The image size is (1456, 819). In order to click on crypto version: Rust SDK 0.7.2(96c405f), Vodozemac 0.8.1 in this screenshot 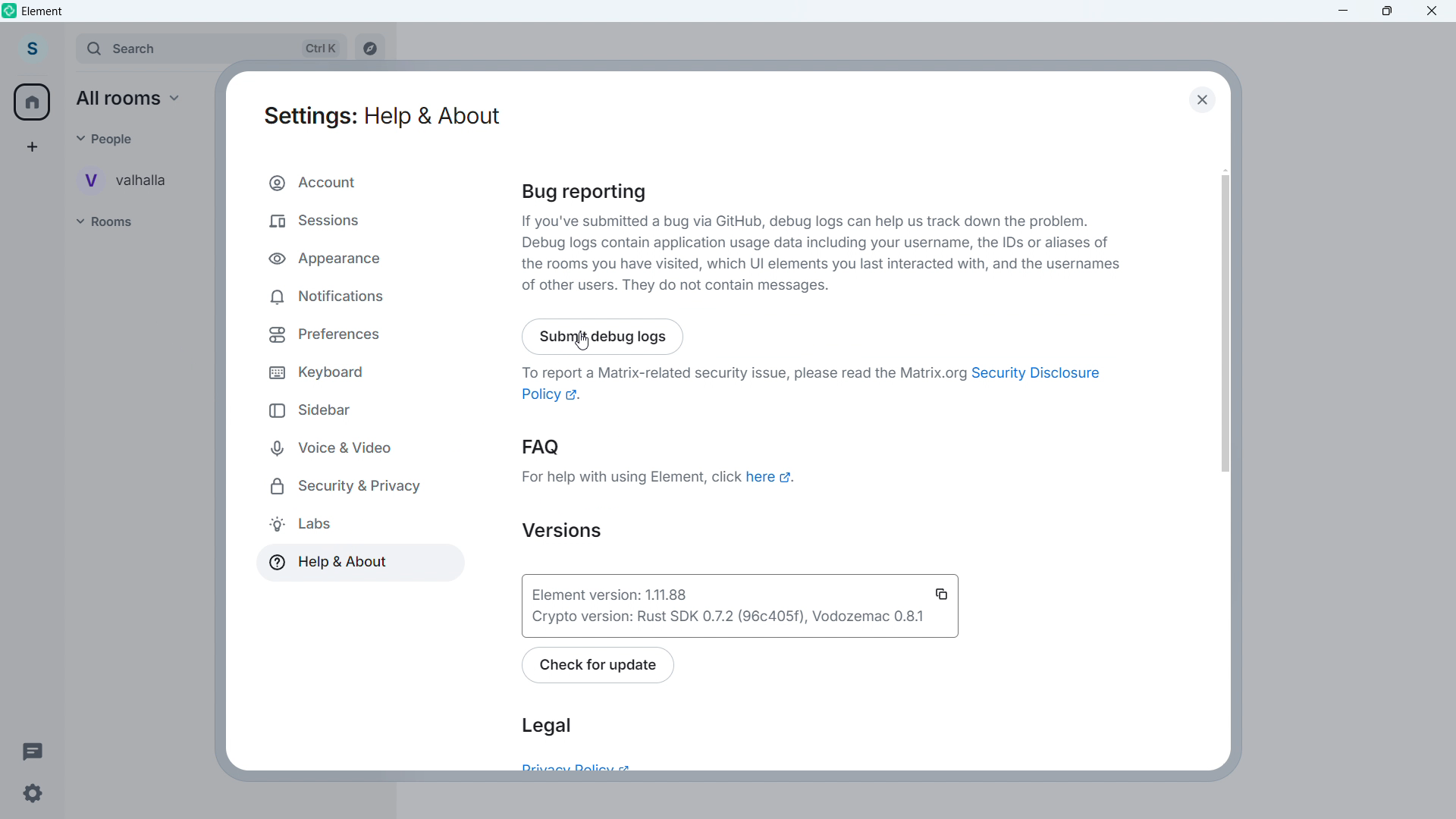, I will do `click(726, 618)`.